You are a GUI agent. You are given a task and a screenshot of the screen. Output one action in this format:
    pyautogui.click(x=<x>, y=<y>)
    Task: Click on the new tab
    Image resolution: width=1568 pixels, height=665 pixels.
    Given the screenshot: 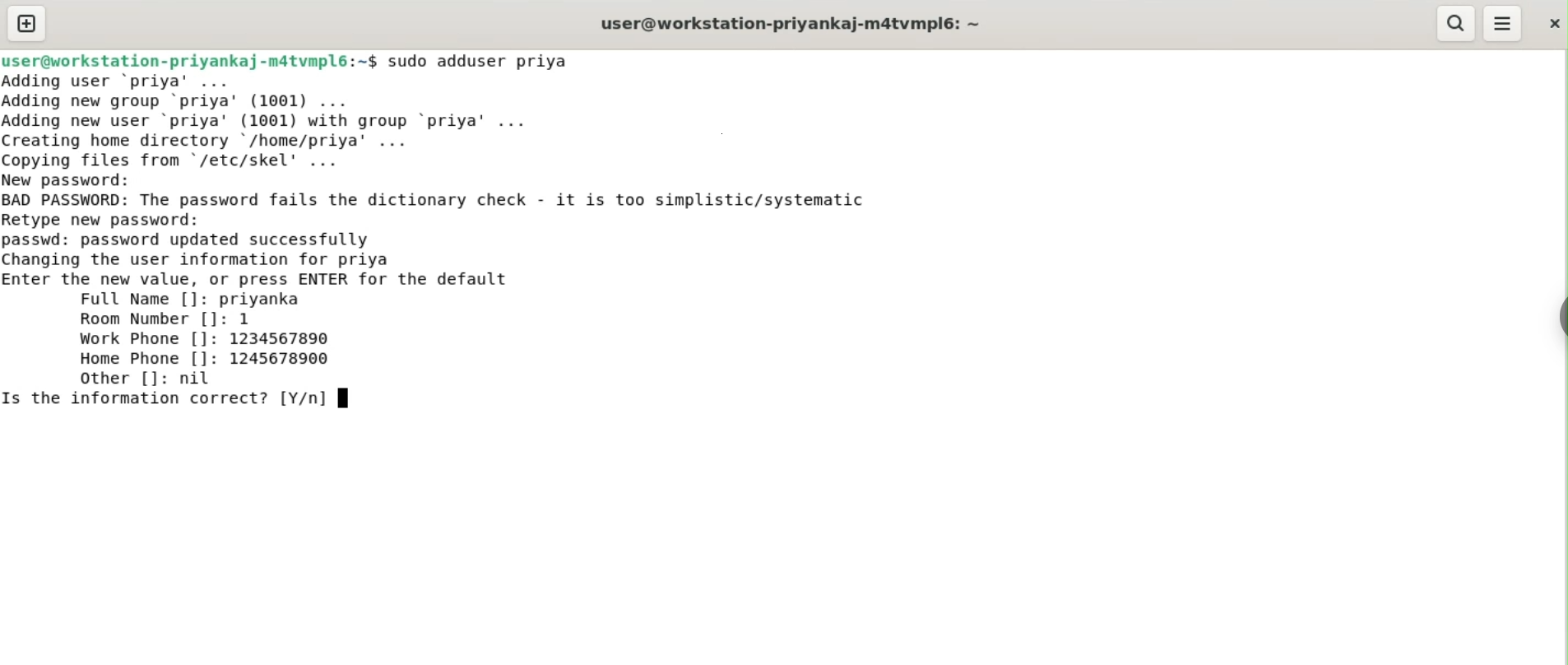 What is the action you would take?
    pyautogui.click(x=27, y=23)
    